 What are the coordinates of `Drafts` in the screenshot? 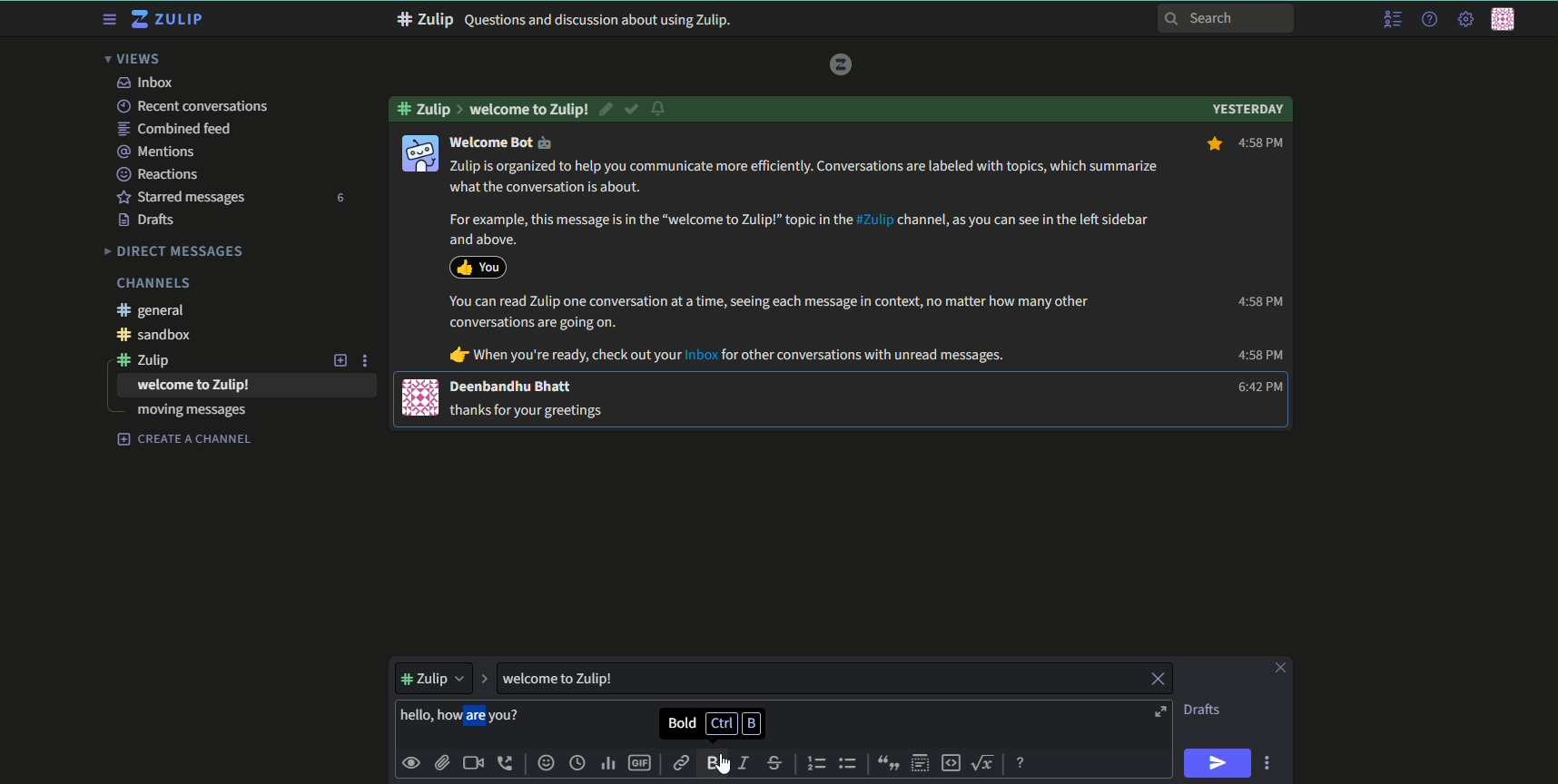 It's located at (149, 220).